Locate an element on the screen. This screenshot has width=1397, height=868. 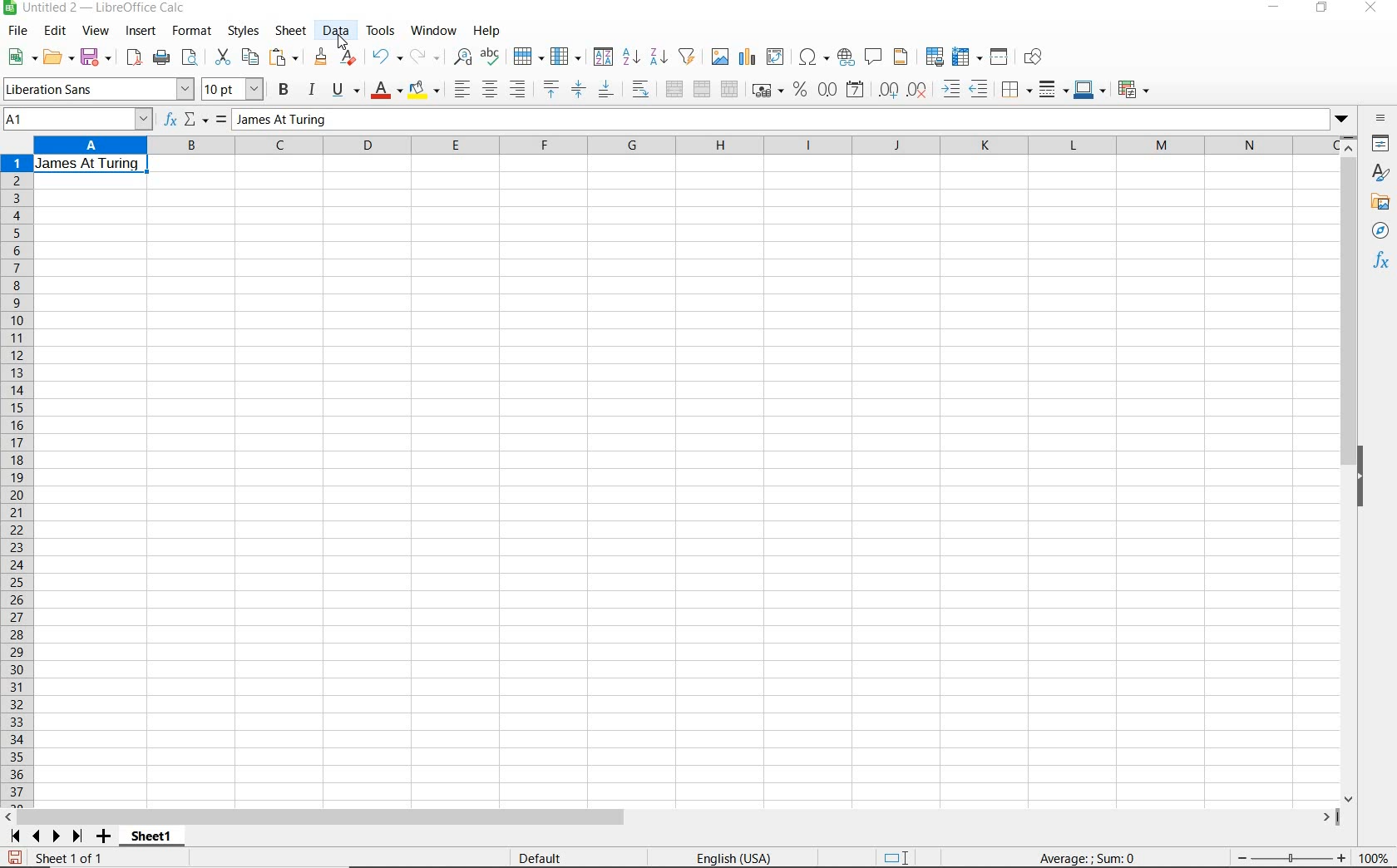
center vertically is located at coordinates (580, 89).